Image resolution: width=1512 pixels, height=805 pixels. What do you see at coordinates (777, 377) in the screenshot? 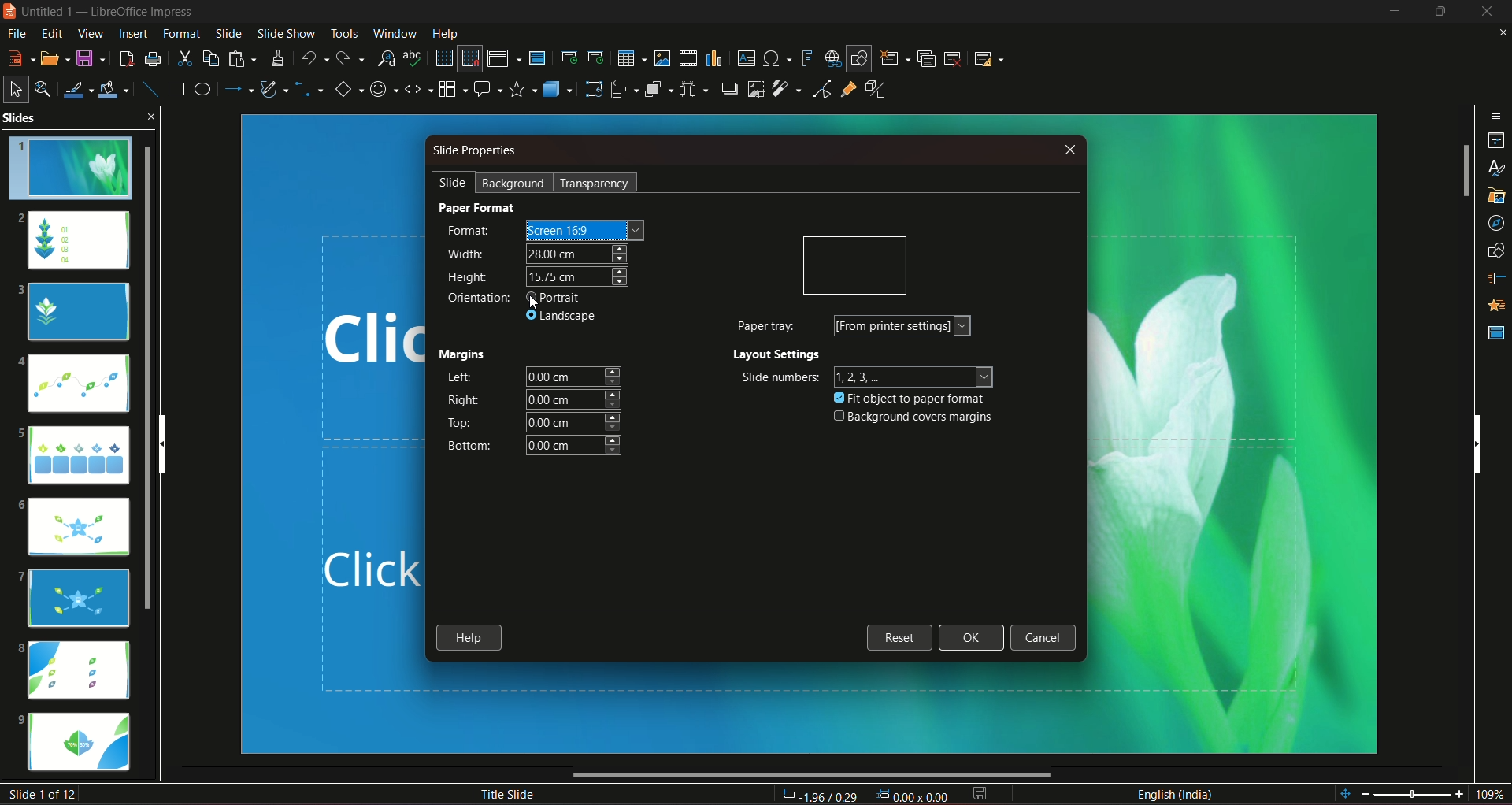
I see `slide numbers` at bounding box center [777, 377].